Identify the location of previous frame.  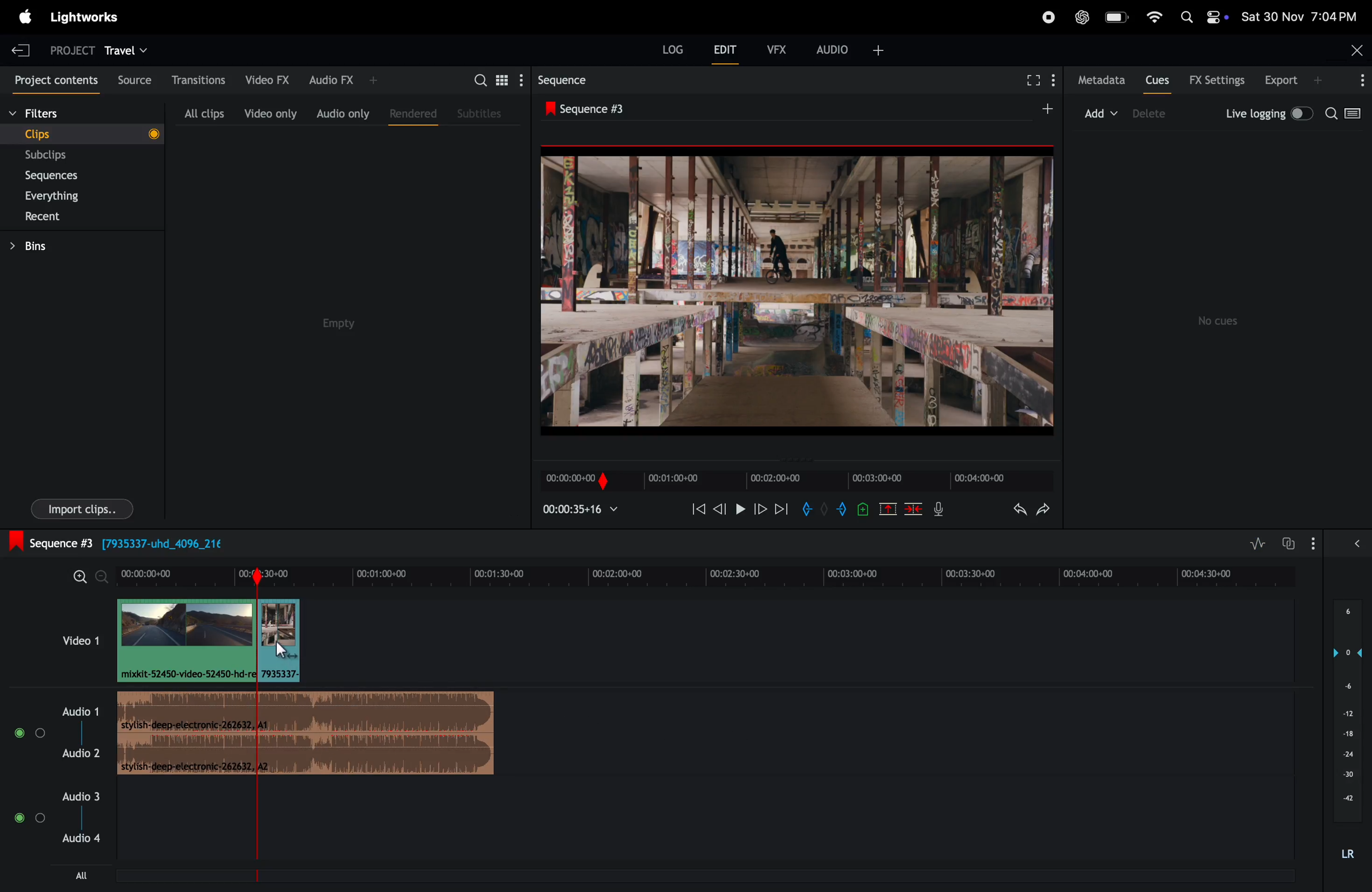
(696, 509).